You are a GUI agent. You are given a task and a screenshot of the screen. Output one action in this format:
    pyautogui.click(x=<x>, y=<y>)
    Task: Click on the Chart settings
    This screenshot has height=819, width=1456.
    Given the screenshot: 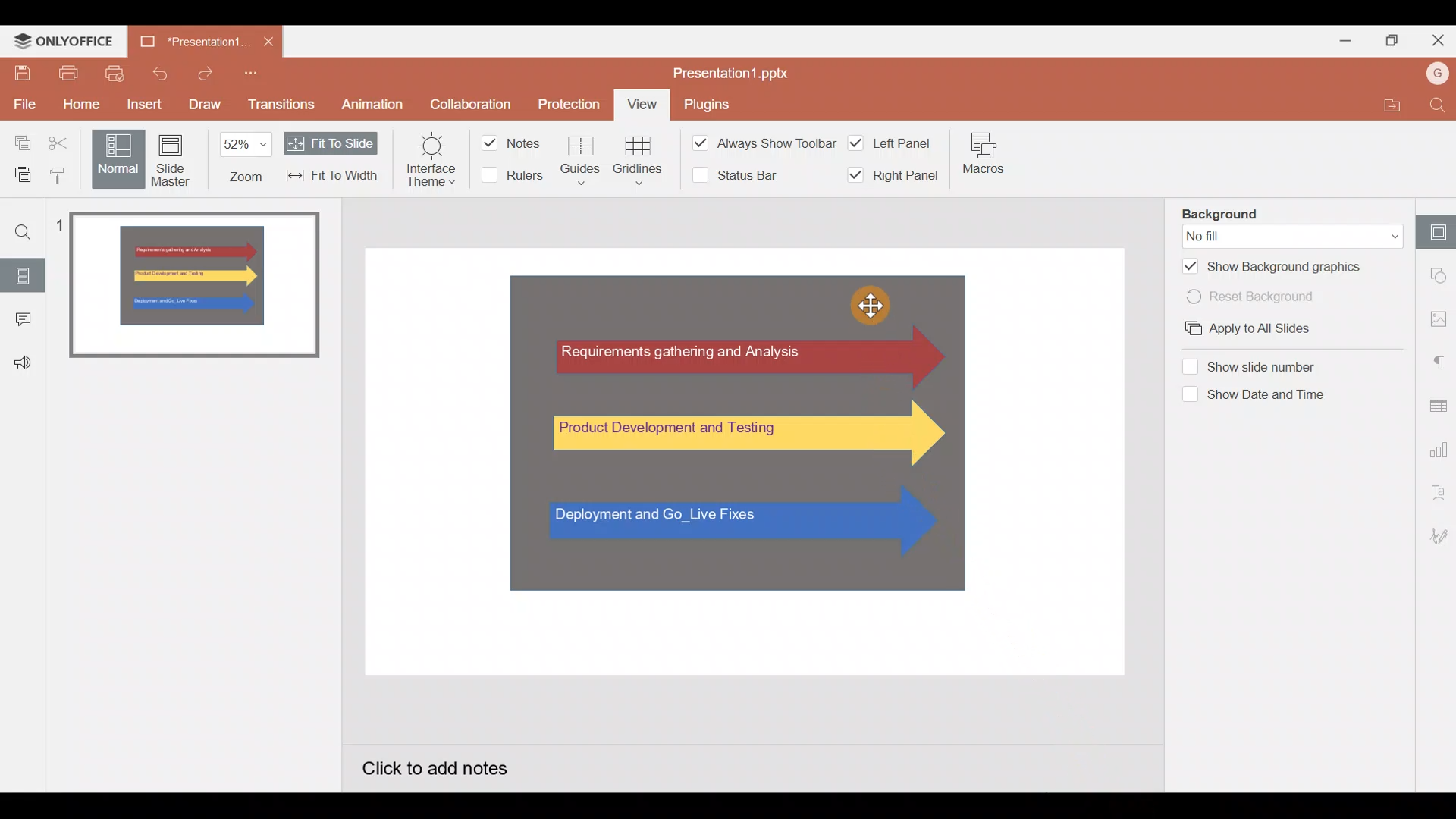 What is the action you would take?
    pyautogui.click(x=1439, y=444)
    